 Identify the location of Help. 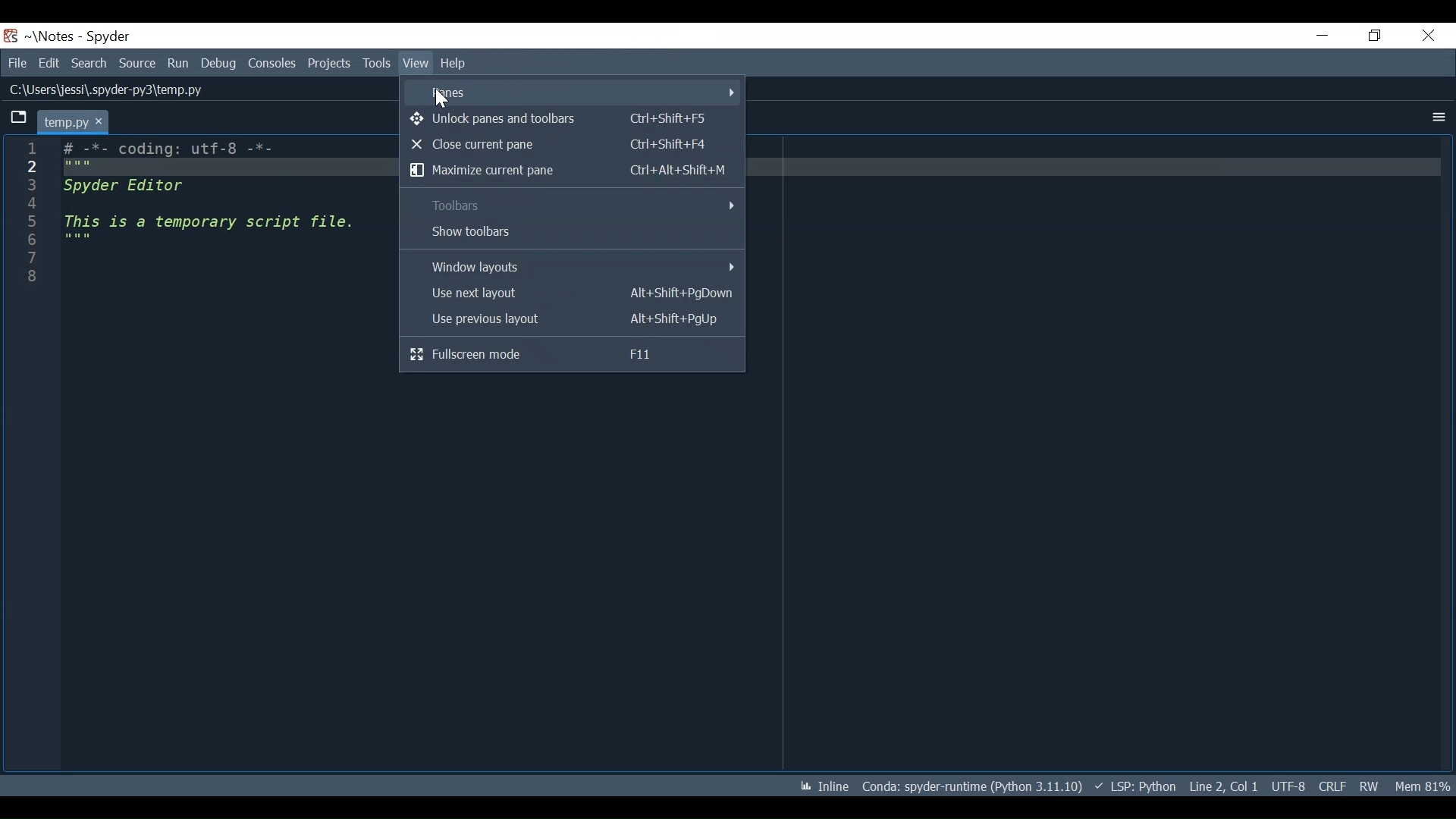
(414, 64).